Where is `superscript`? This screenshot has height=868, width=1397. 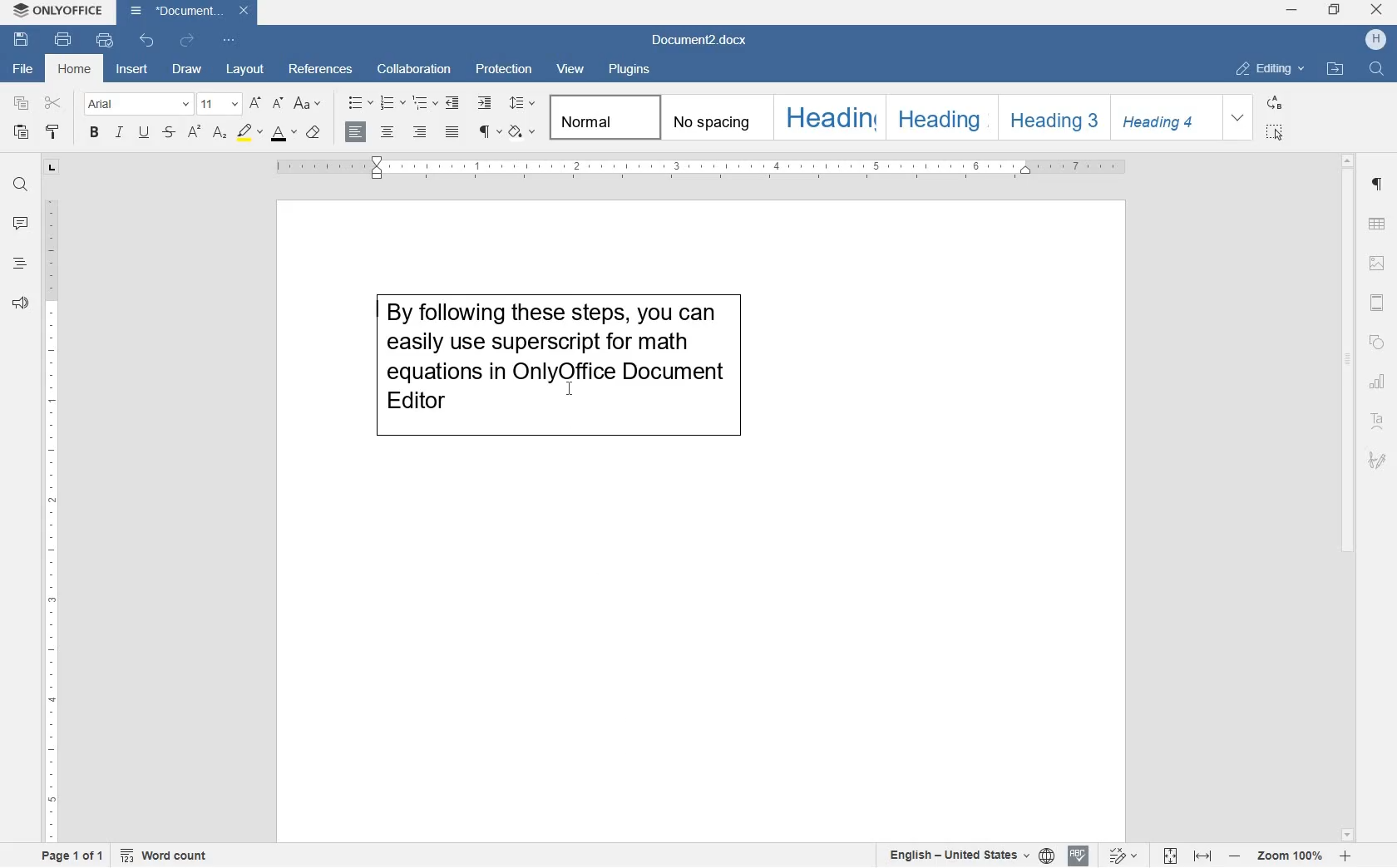
superscript is located at coordinates (194, 133).